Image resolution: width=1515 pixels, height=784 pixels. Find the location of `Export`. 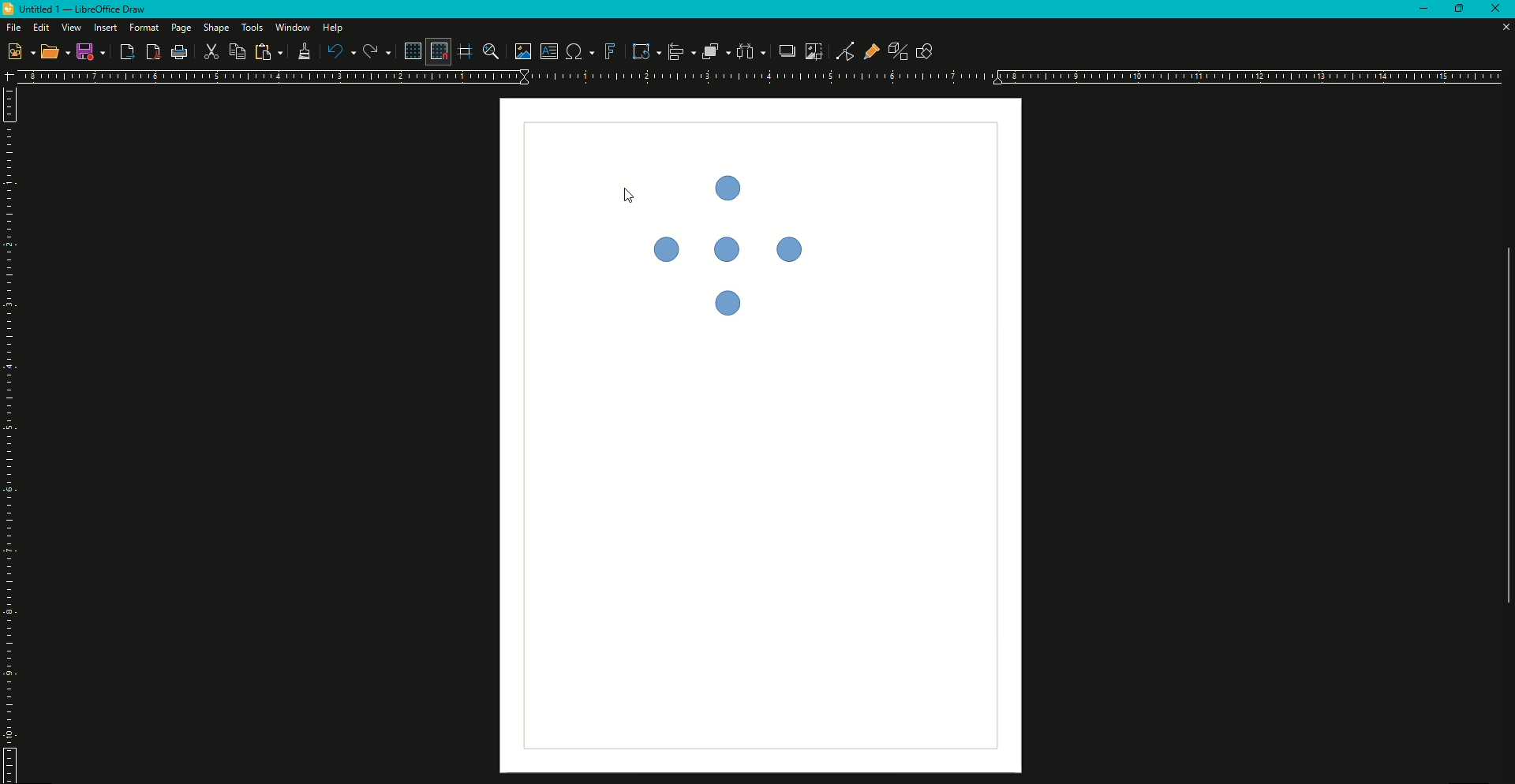

Export is located at coordinates (126, 54).